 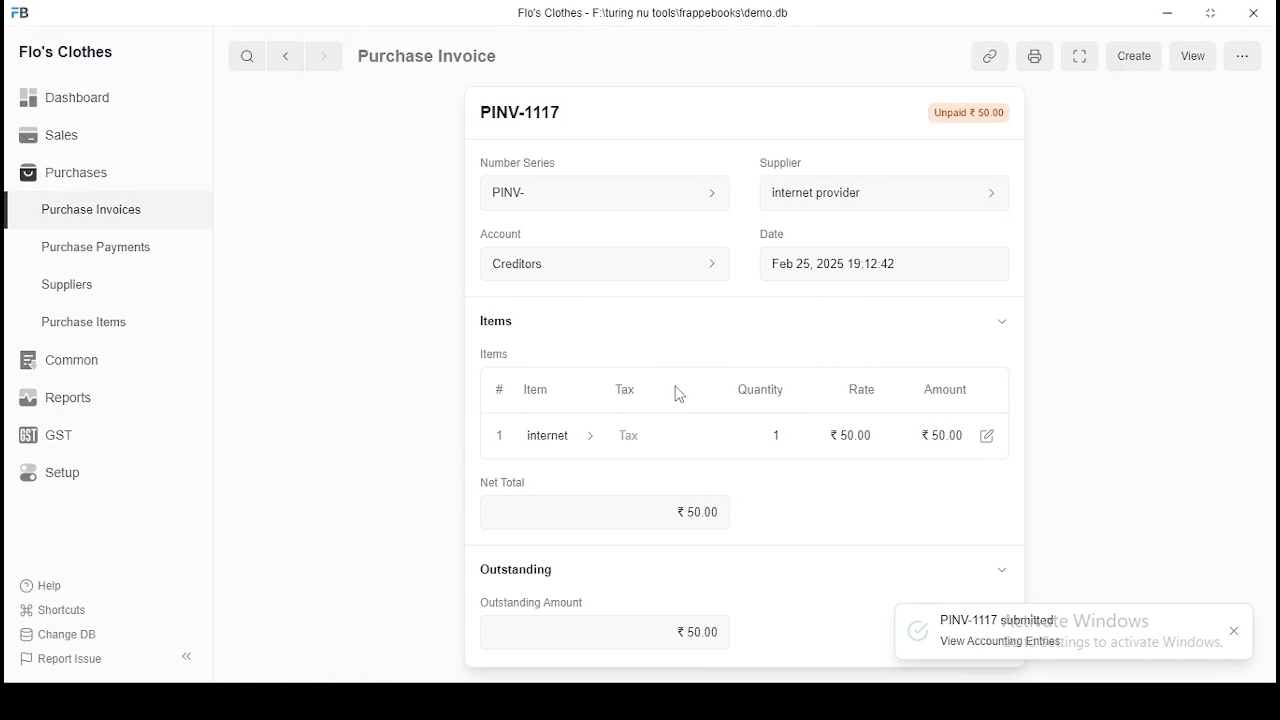 I want to click on account, so click(x=604, y=265).